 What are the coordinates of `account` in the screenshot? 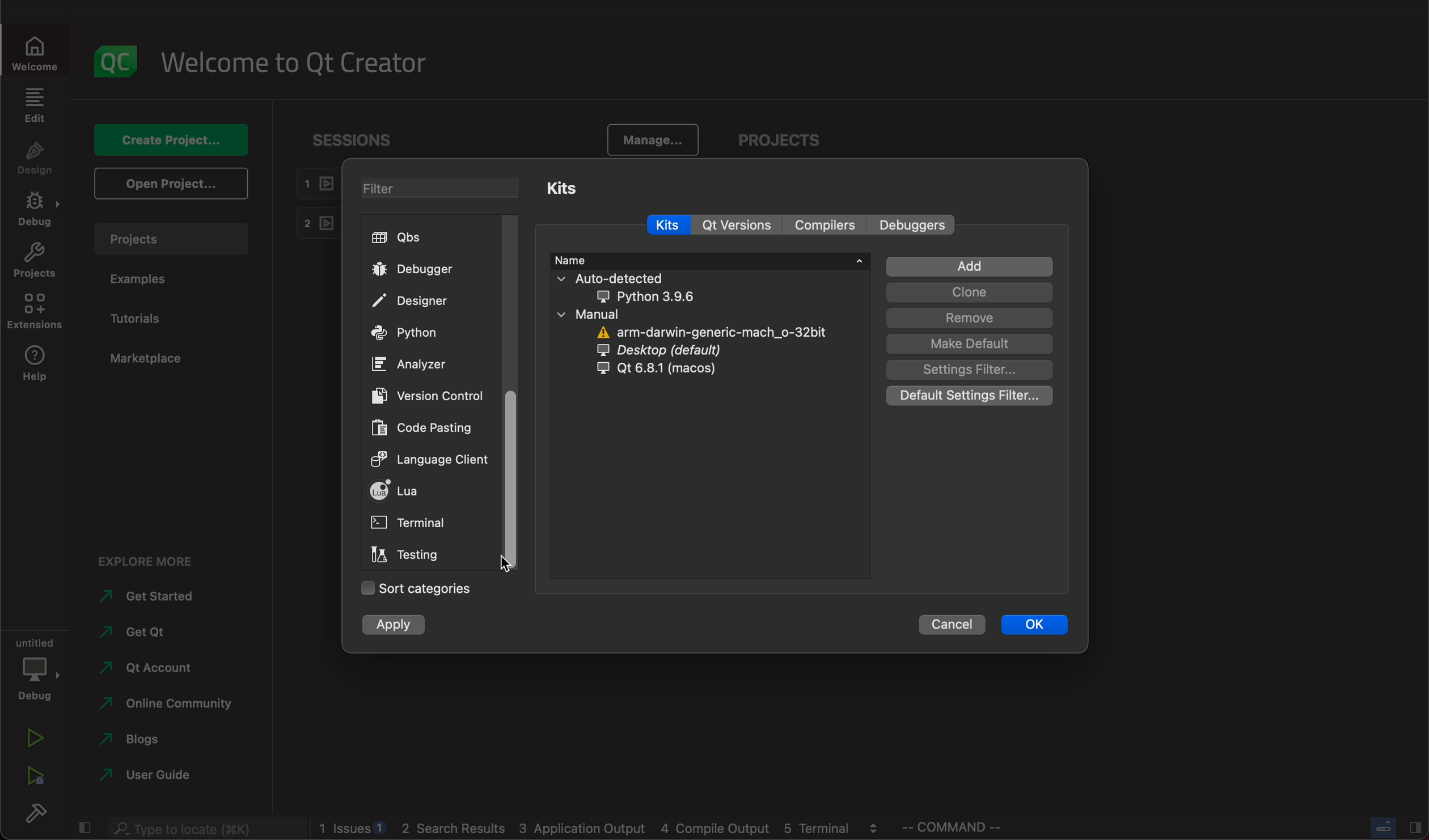 It's located at (147, 670).